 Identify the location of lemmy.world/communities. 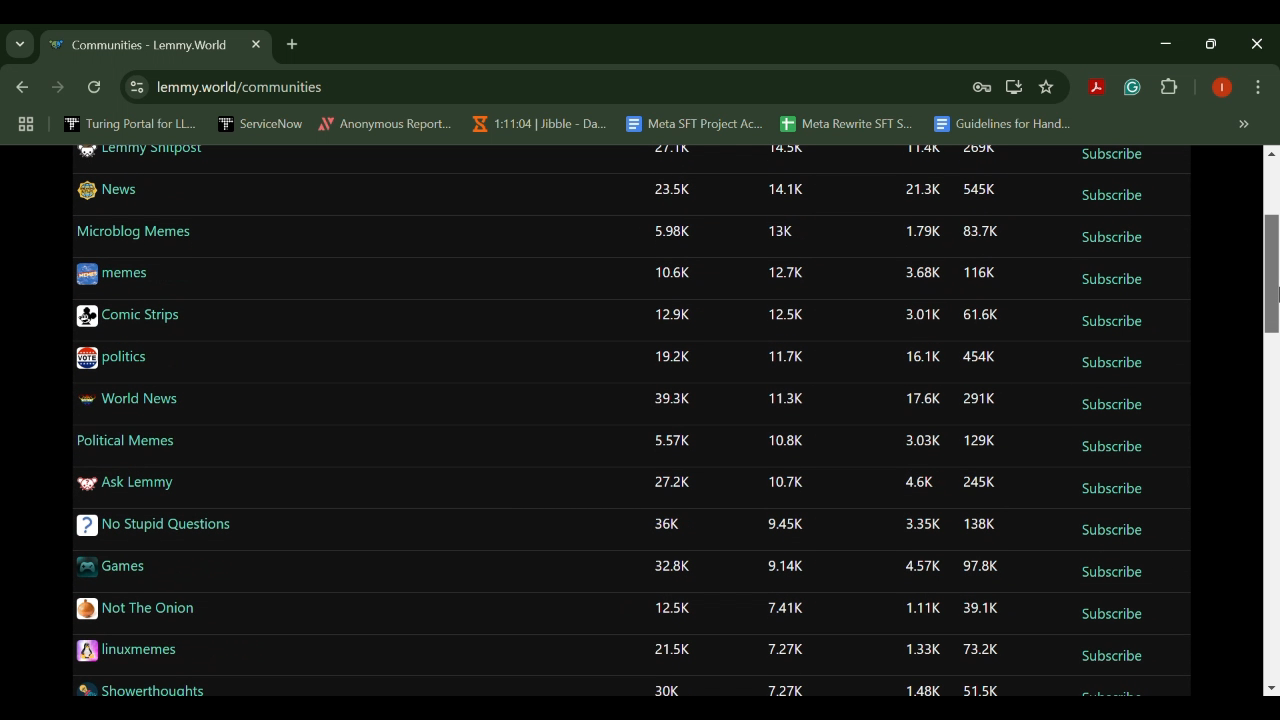
(242, 86).